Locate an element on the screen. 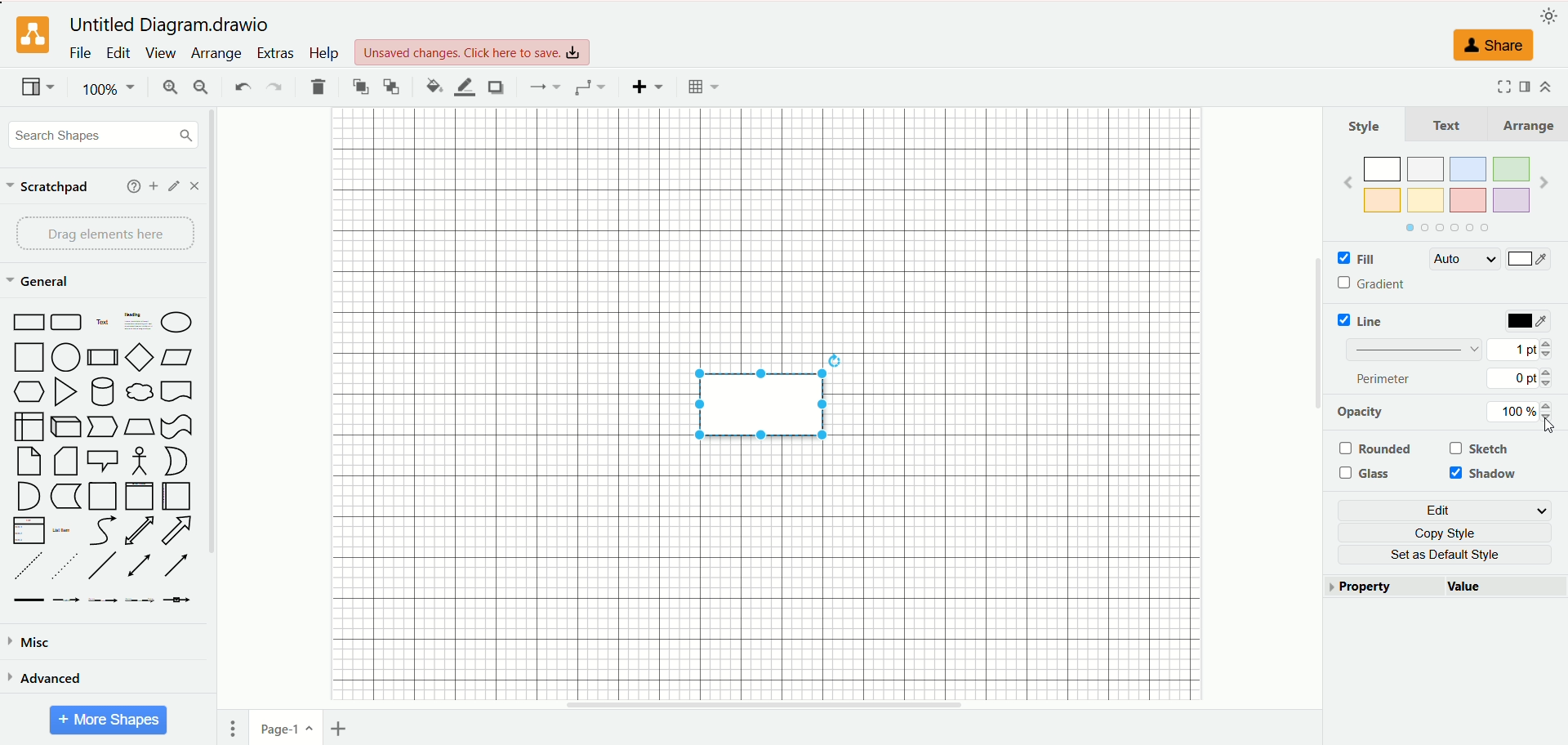  format is located at coordinates (1526, 85).